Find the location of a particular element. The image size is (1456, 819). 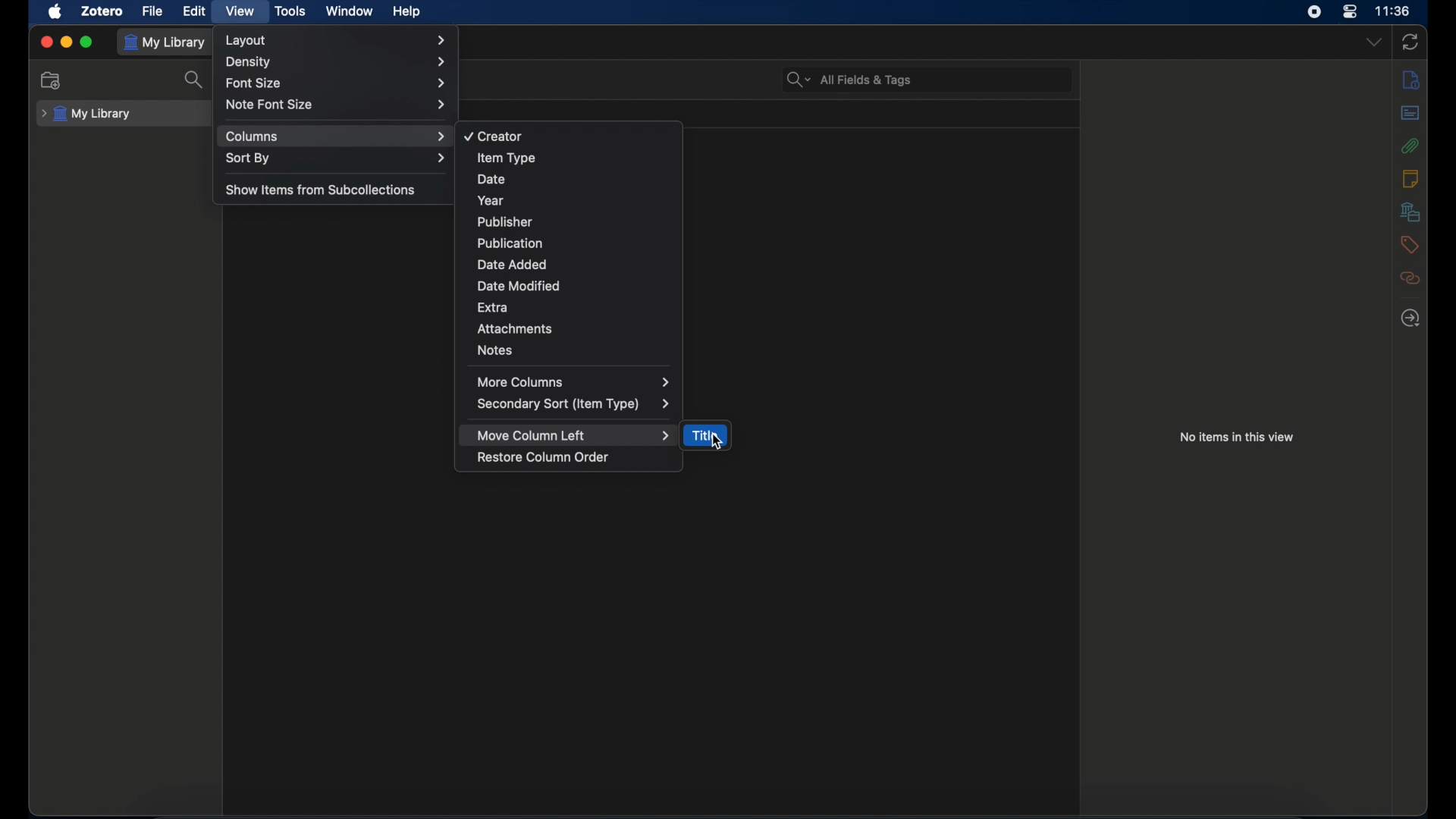

font size is located at coordinates (335, 84).